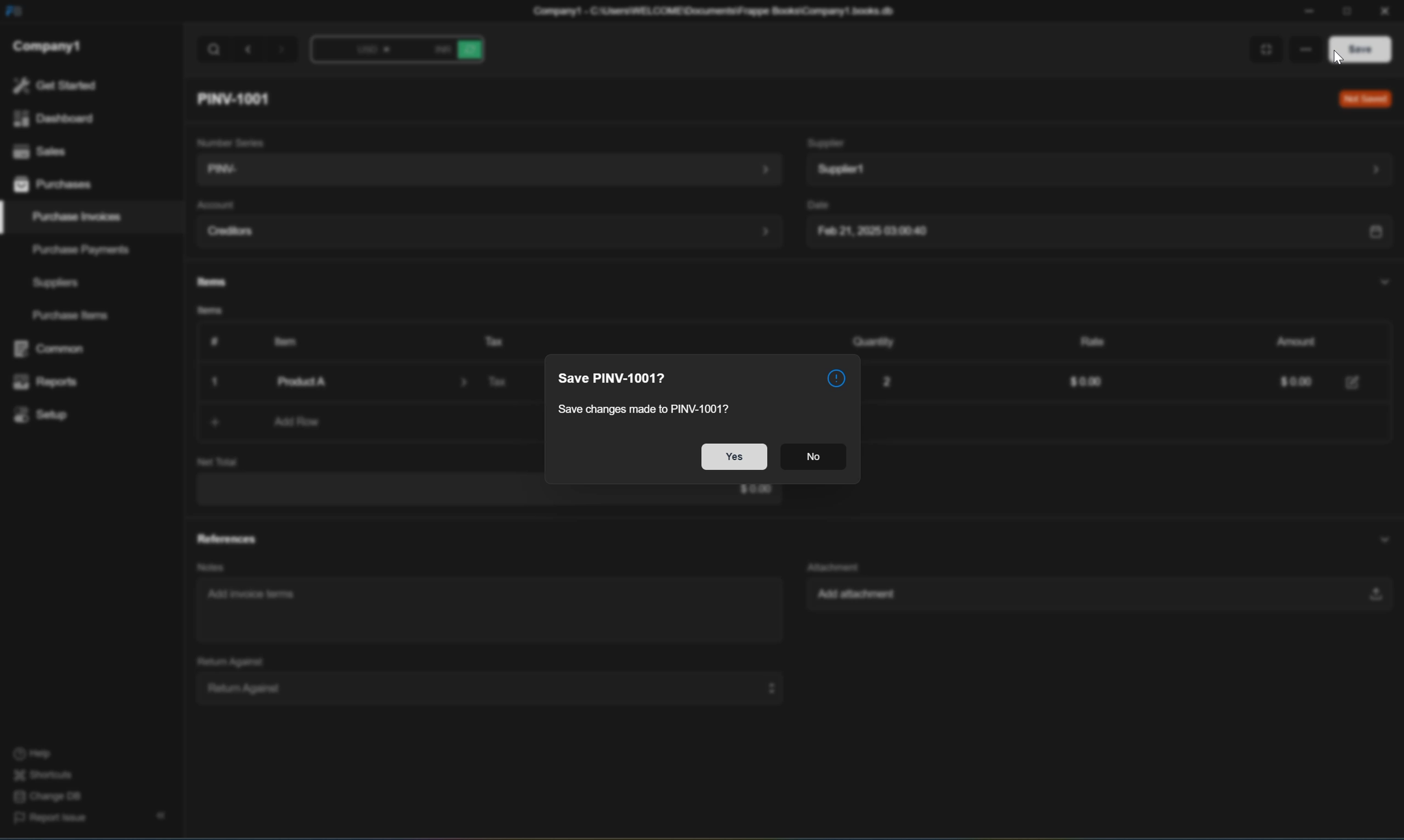  What do you see at coordinates (52, 119) in the screenshot?
I see `dashboard` at bounding box center [52, 119].